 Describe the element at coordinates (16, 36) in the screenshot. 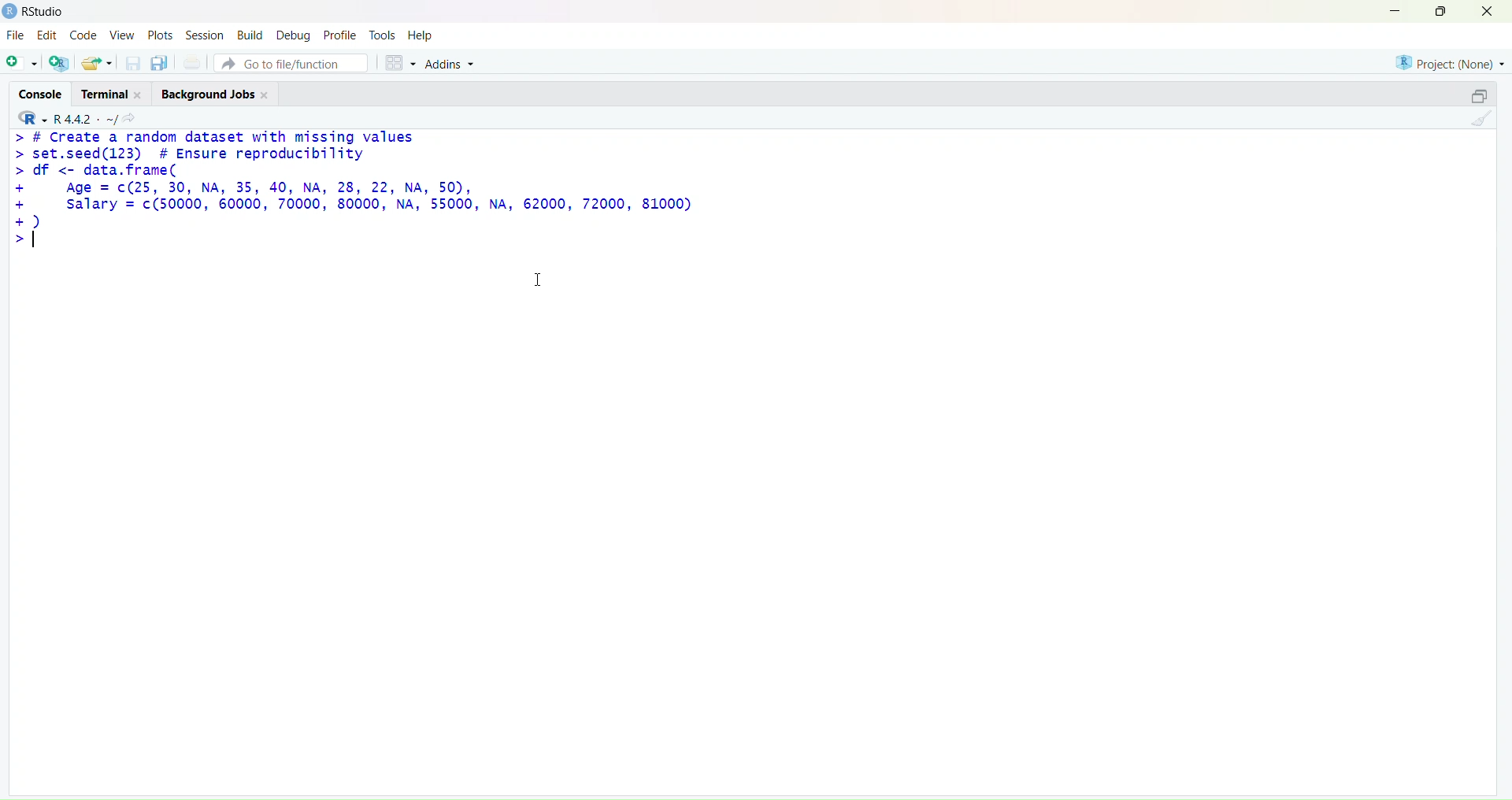

I see `file` at that location.